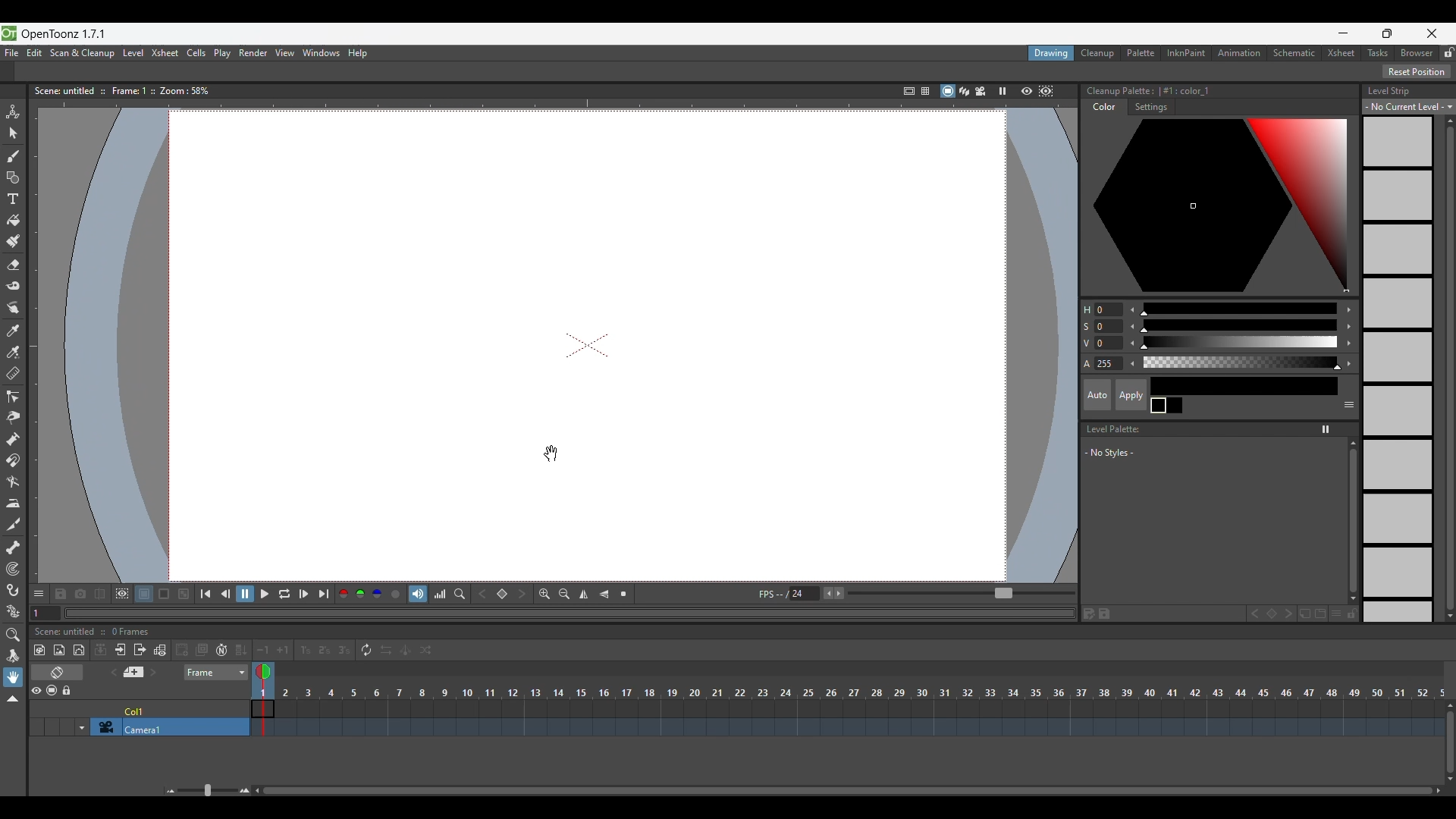  Describe the element at coordinates (1354, 599) in the screenshot. I see `Quick slide to the bottom` at that location.